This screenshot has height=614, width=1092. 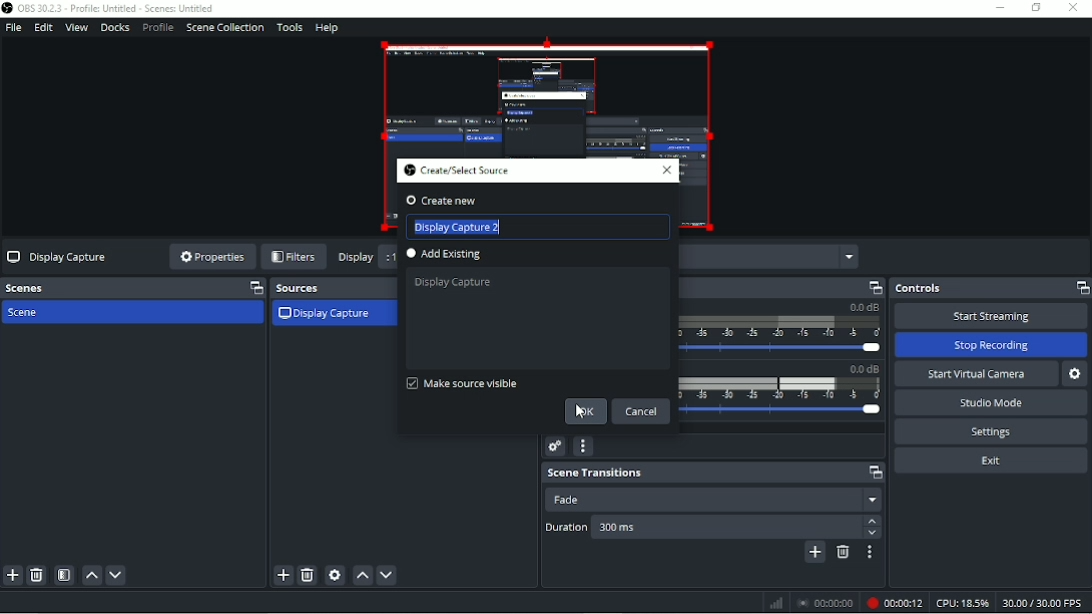 What do you see at coordinates (37, 575) in the screenshot?
I see `Remove selected scene` at bounding box center [37, 575].